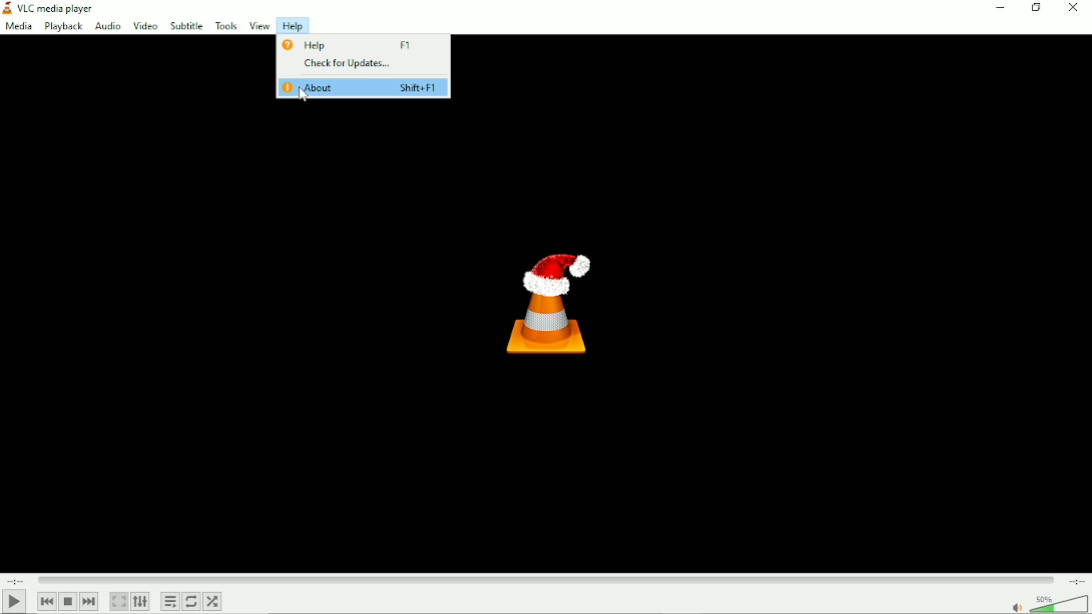 The height and width of the screenshot is (614, 1092). I want to click on Random, so click(213, 601).